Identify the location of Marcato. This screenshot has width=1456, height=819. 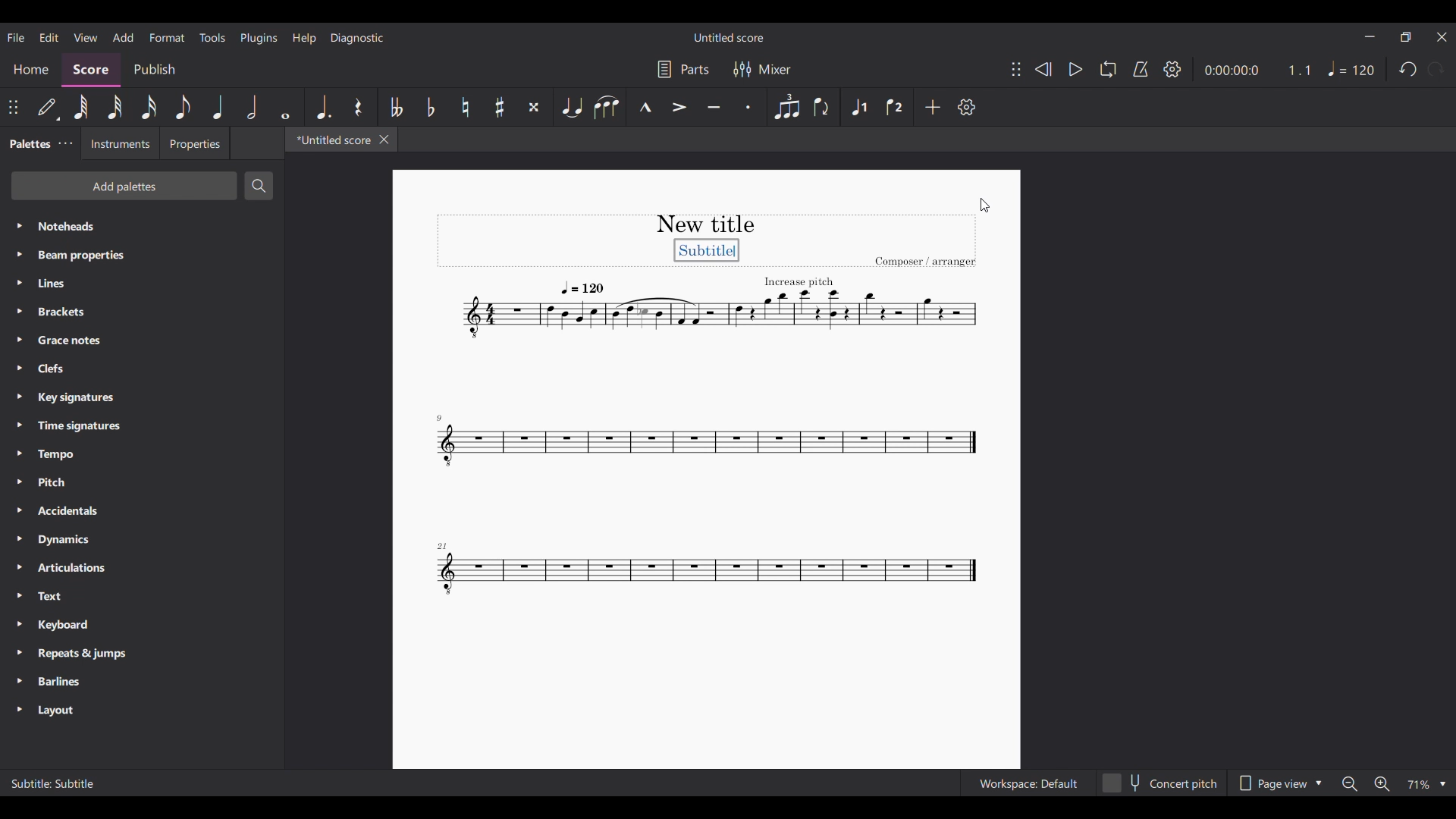
(645, 108).